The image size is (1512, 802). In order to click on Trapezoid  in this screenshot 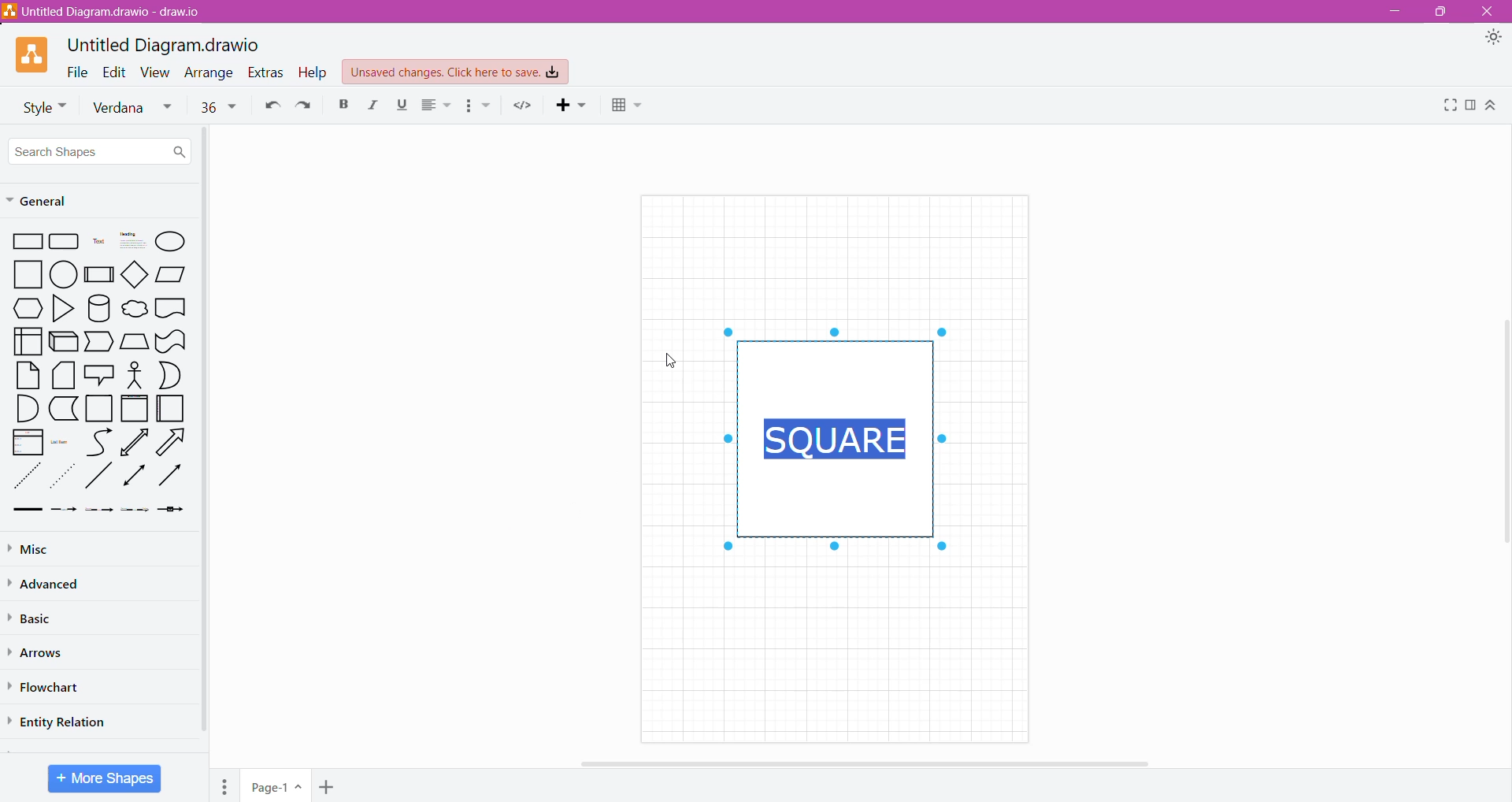, I will do `click(100, 342)`.